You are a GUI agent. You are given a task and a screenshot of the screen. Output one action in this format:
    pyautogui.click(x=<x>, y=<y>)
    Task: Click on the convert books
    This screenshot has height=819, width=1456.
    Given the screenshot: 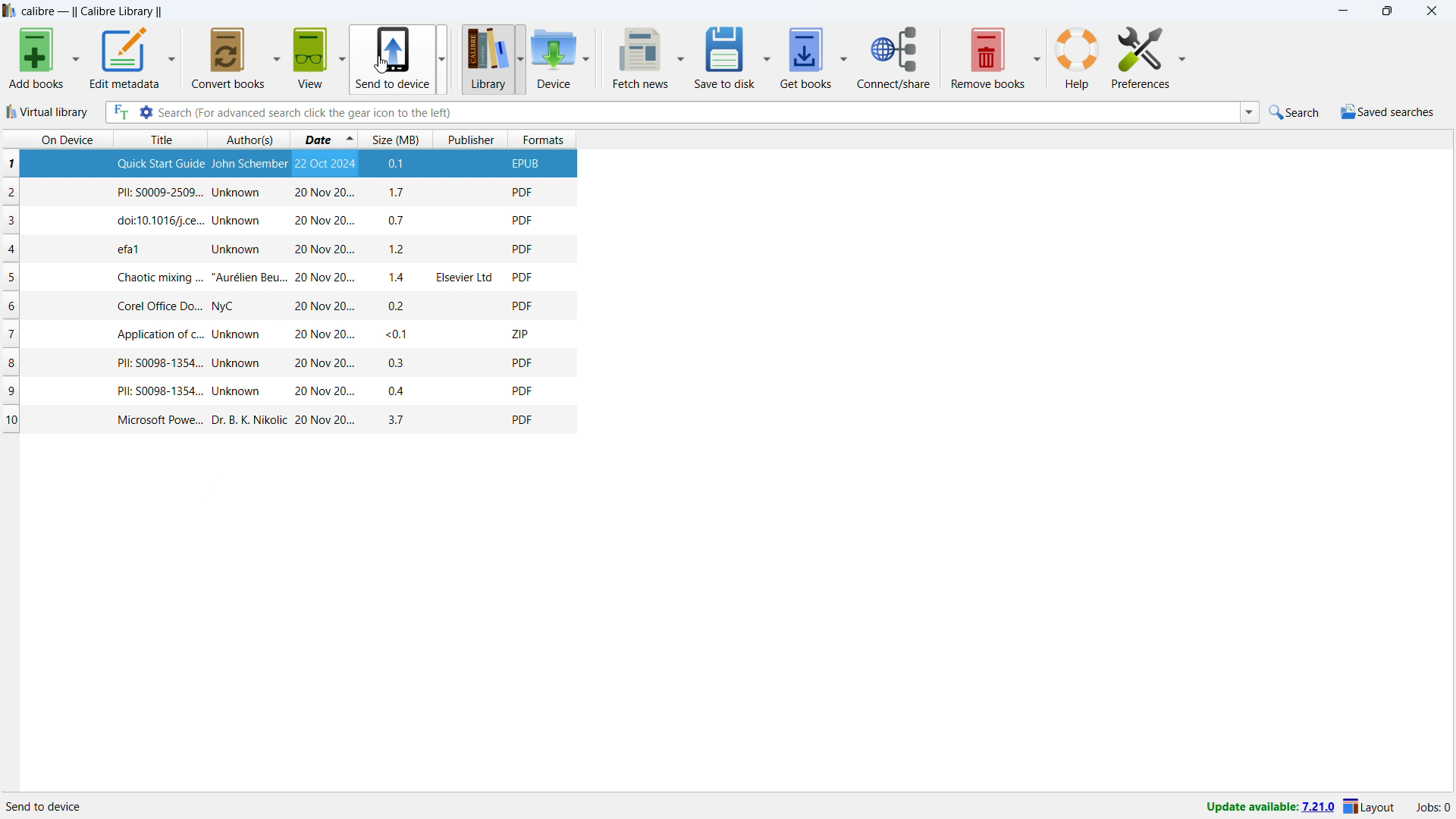 What is the action you would take?
    pyautogui.click(x=229, y=58)
    